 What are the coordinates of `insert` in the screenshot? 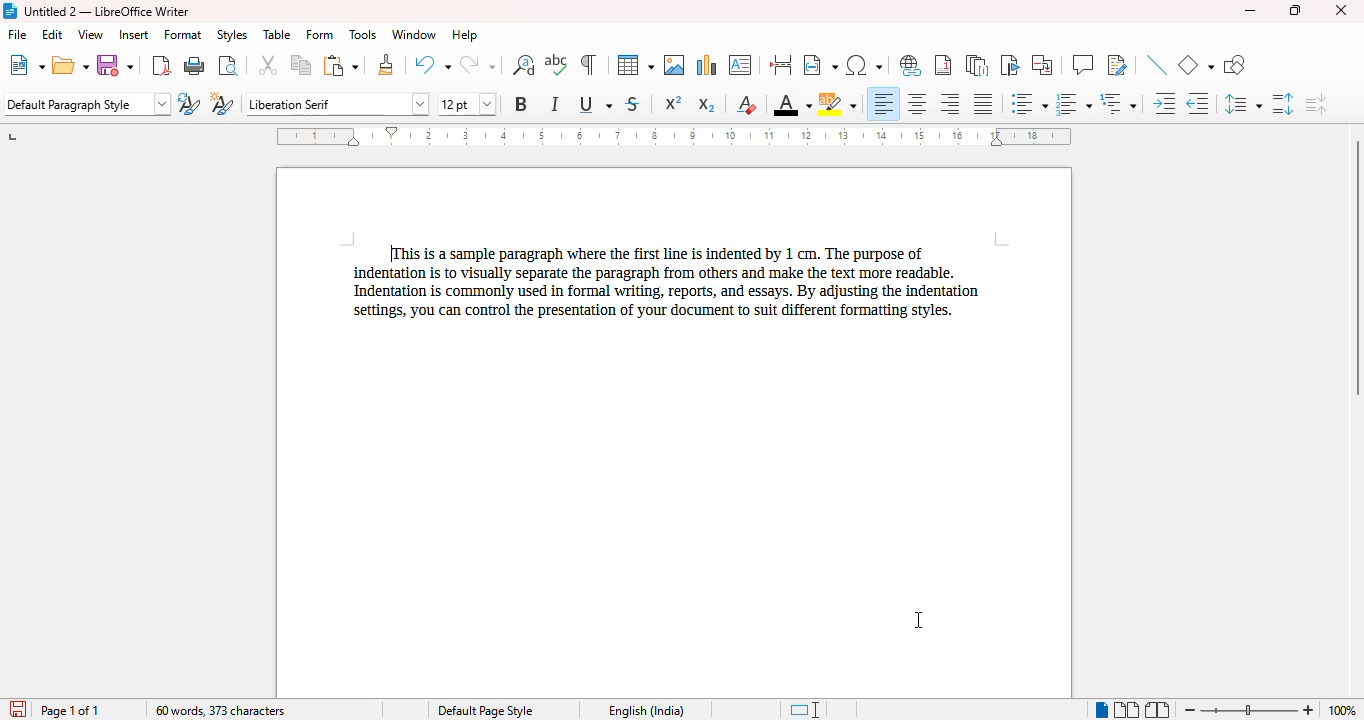 It's located at (132, 35).